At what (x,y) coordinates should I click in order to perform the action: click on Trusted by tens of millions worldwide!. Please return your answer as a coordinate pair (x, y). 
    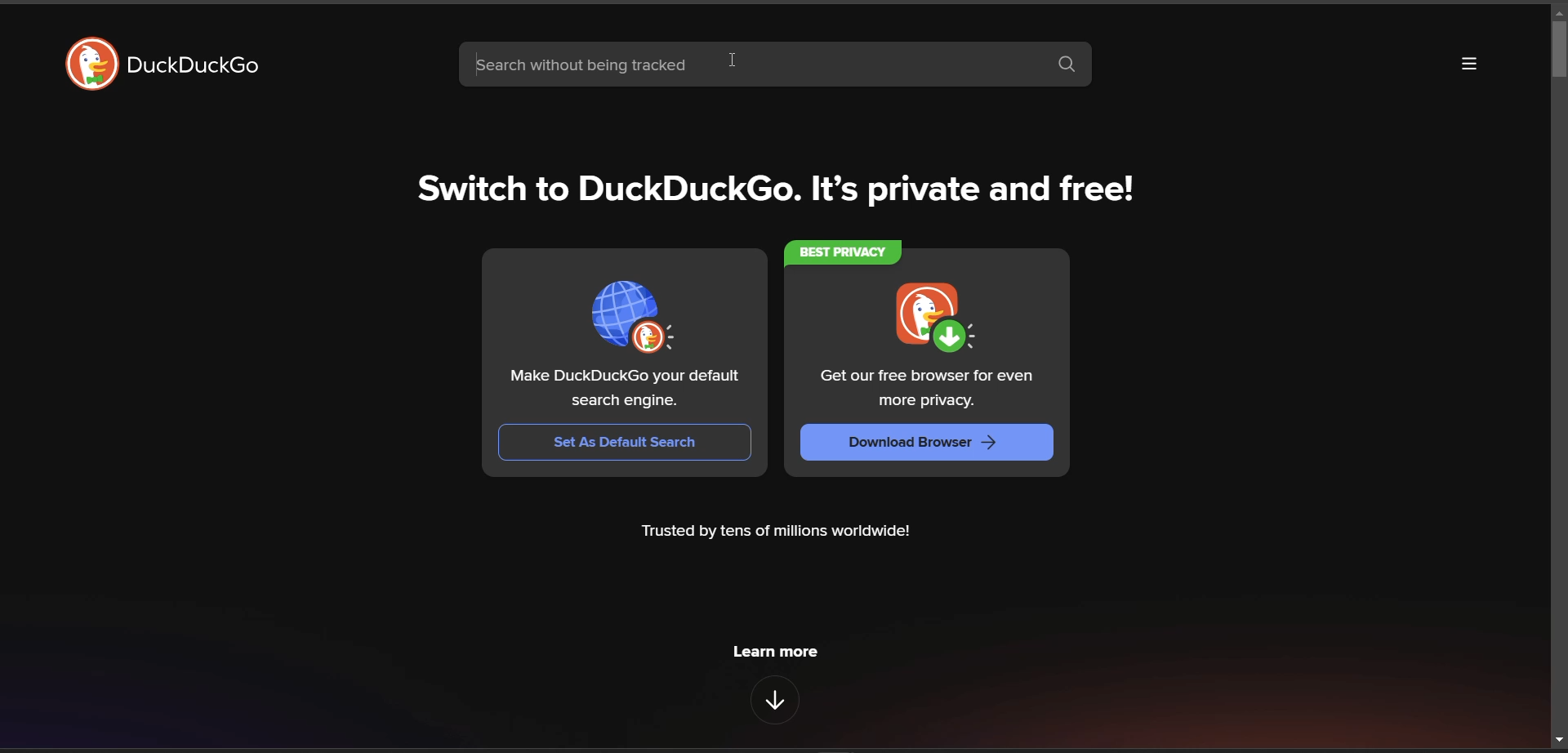
    Looking at the image, I should click on (777, 532).